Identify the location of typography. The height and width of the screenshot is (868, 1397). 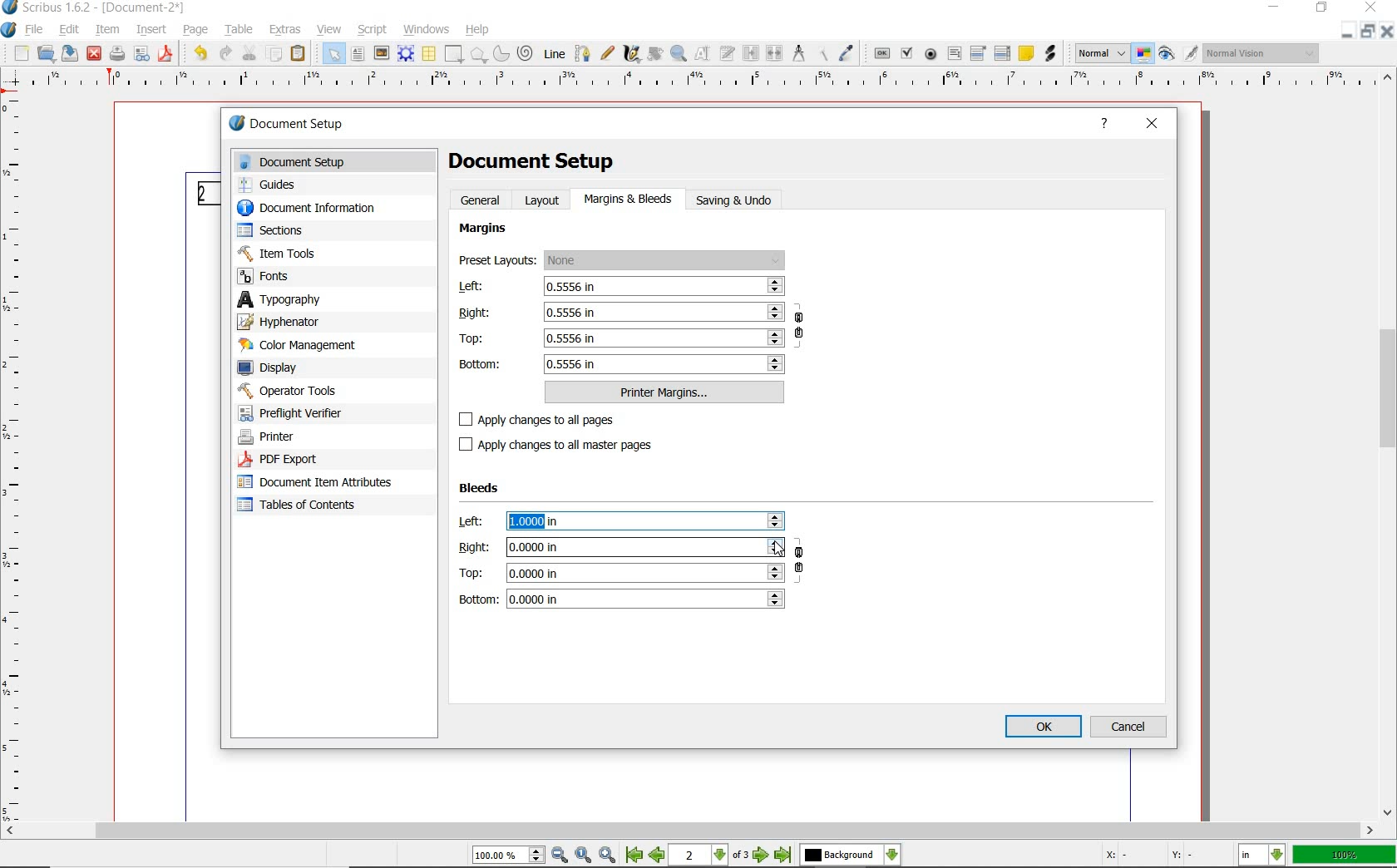
(334, 301).